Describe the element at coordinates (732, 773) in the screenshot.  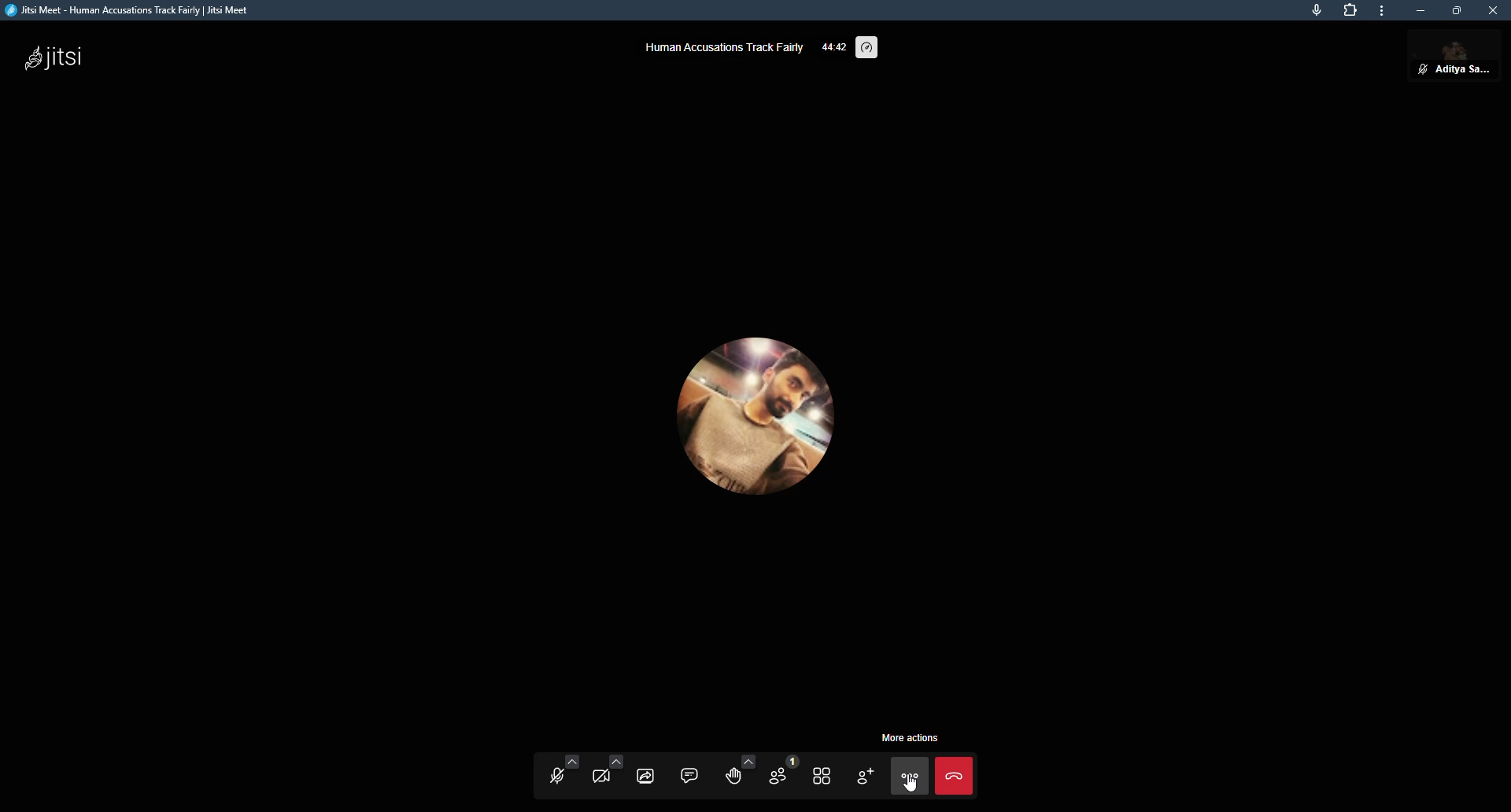
I see `raise hand` at that location.